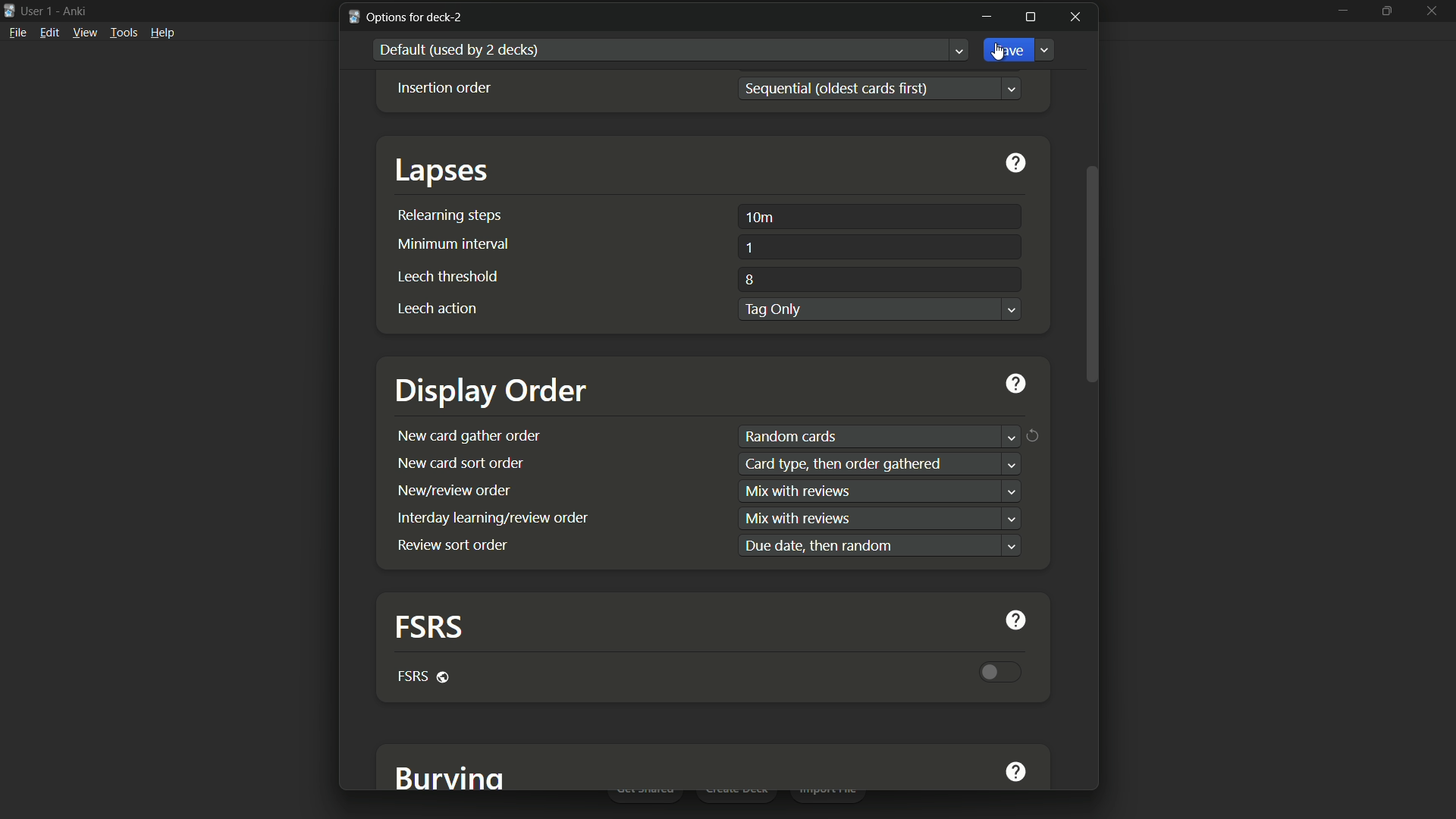 This screenshot has height=819, width=1456. What do you see at coordinates (85, 33) in the screenshot?
I see `view menu` at bounding box center [85, 33].